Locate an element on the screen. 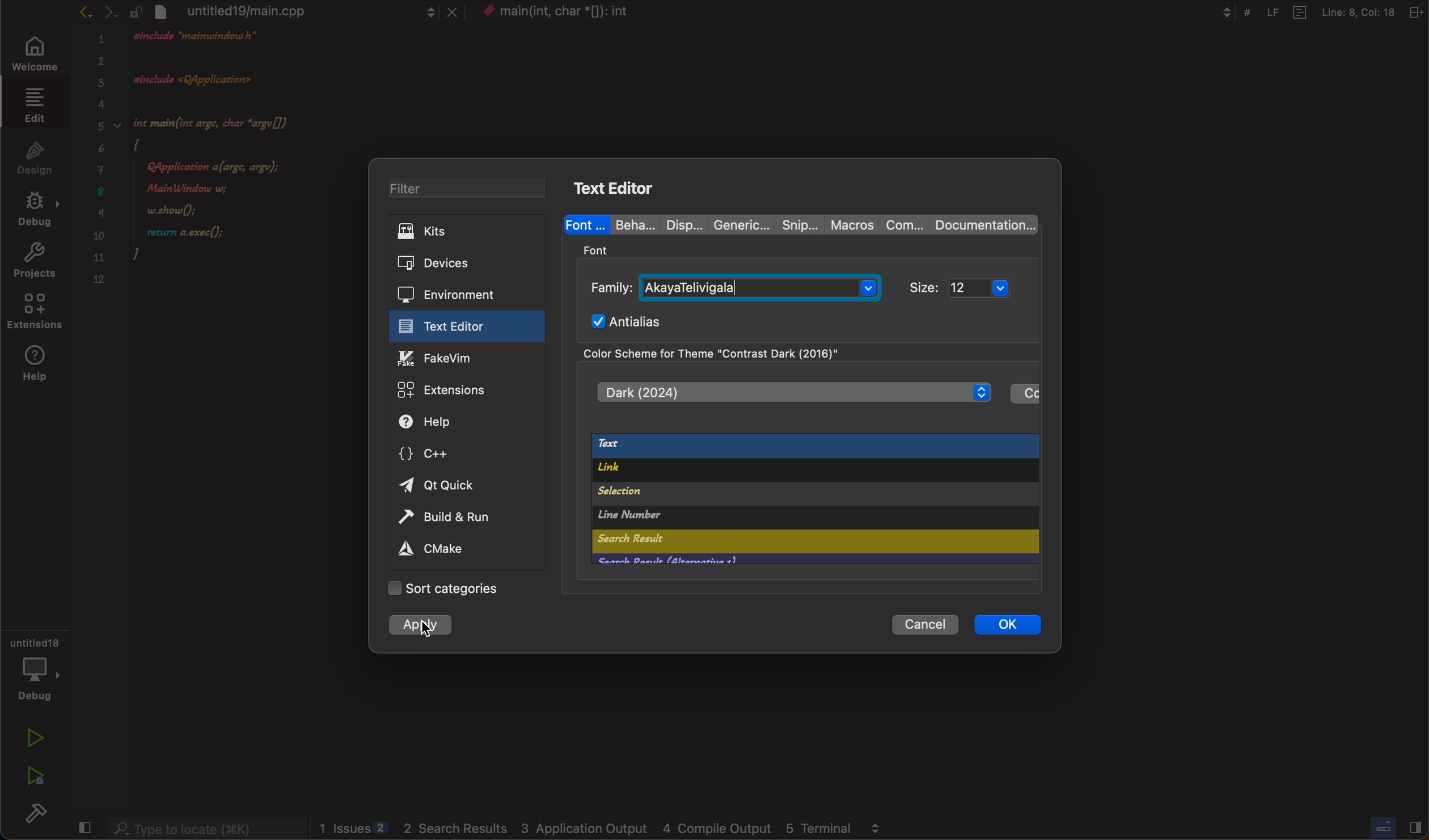 The image size is (1429, 840). size is located at coordinates (968, 287).